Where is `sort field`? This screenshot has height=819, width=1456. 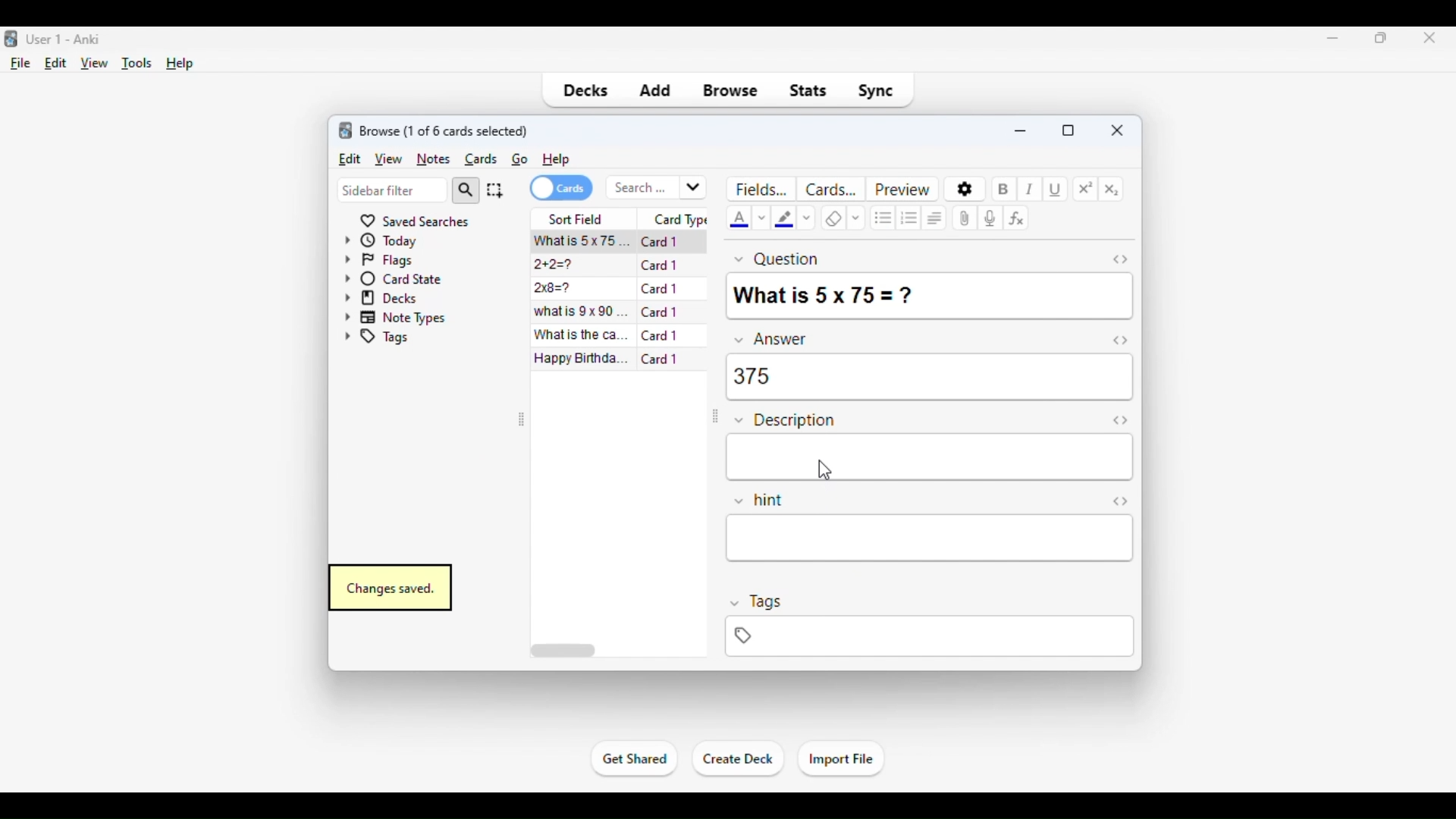
sort field is located at coordinates (577, 218).